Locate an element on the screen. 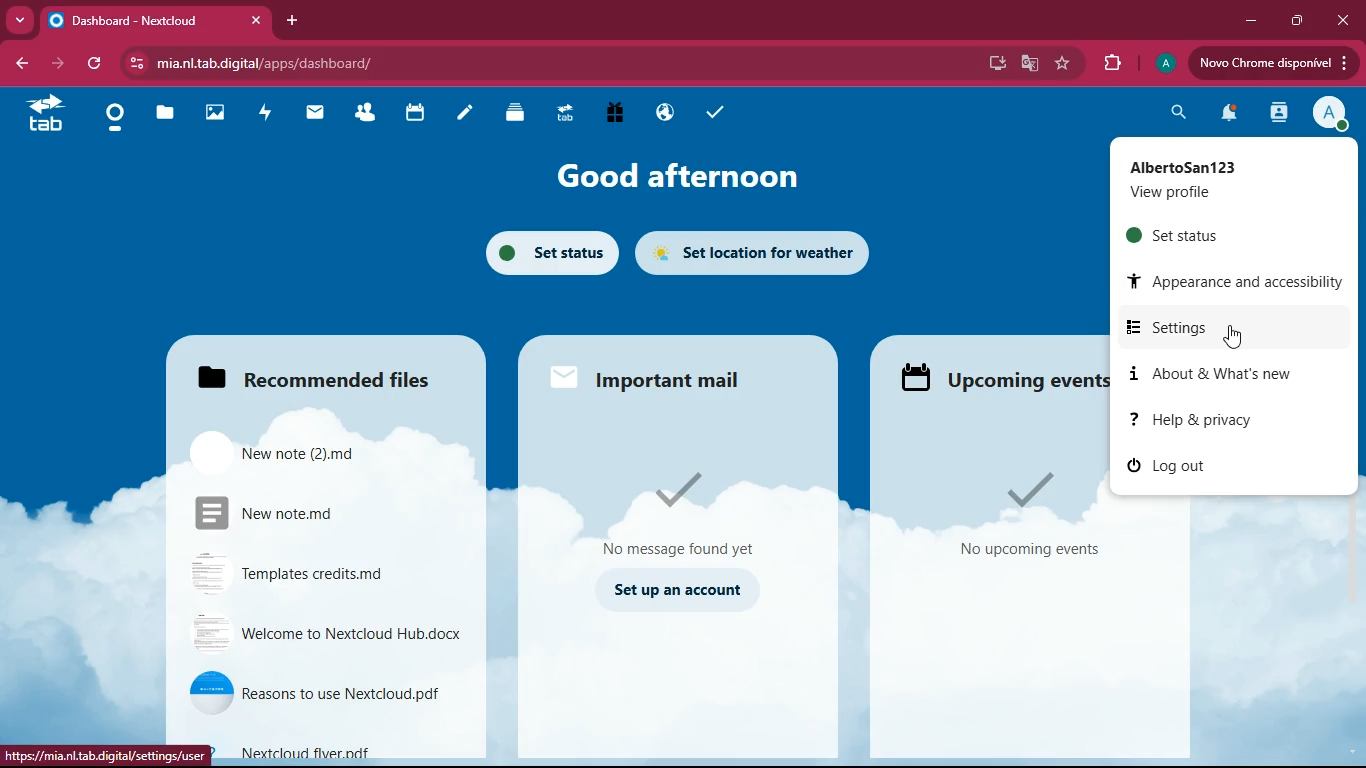 The height and width of the screenshot is (768, 1366). tab is located at coordinates (568, 117).